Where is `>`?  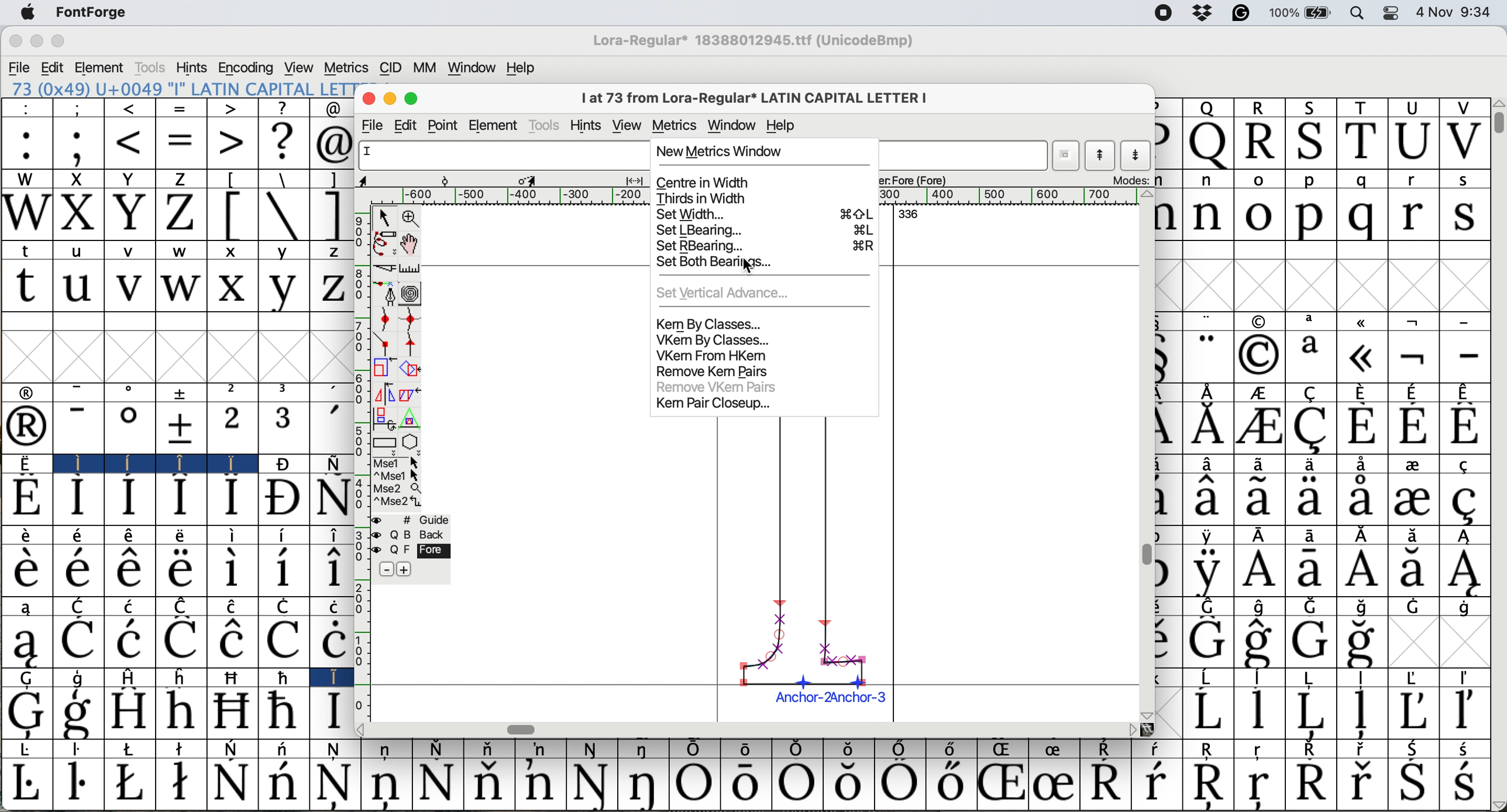
> is located at coordinates (232, 142).